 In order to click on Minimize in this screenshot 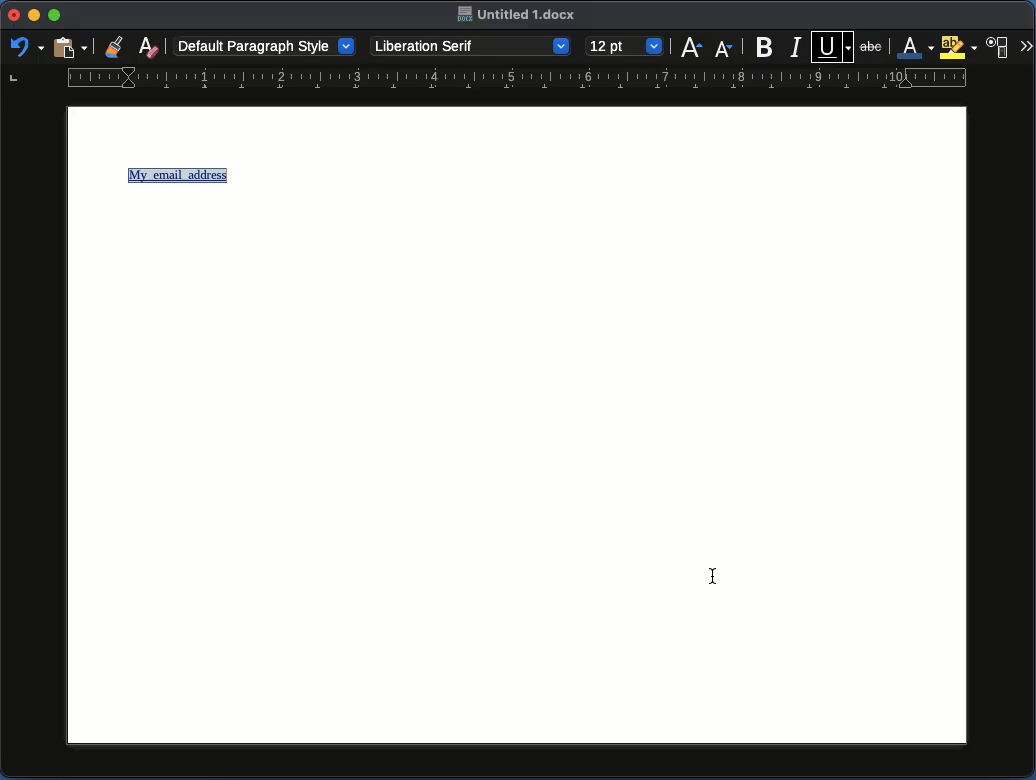, I will do `click(34, 16)`.